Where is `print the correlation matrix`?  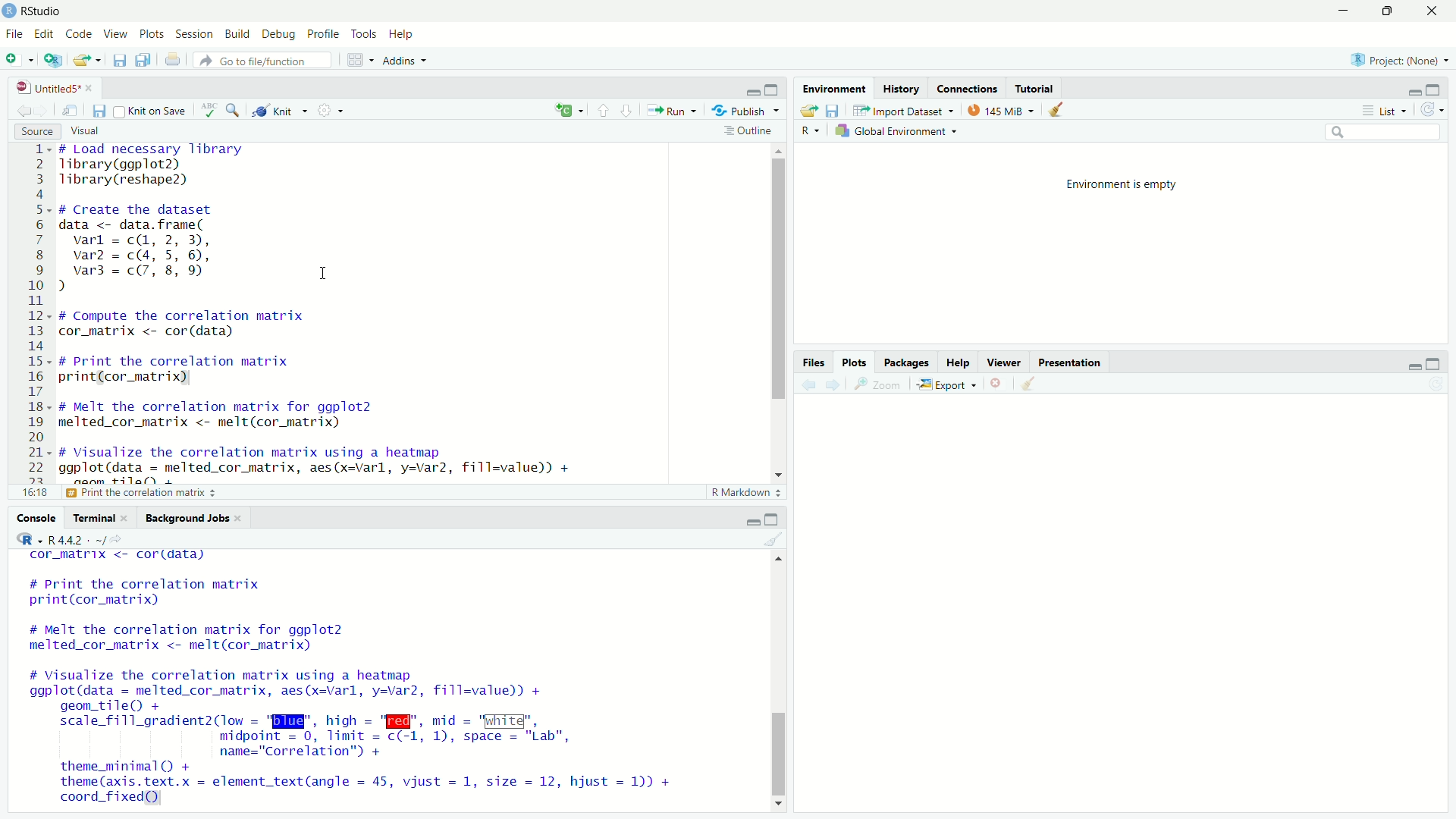 print the correlation matrix is located at coordinates (139, 494).